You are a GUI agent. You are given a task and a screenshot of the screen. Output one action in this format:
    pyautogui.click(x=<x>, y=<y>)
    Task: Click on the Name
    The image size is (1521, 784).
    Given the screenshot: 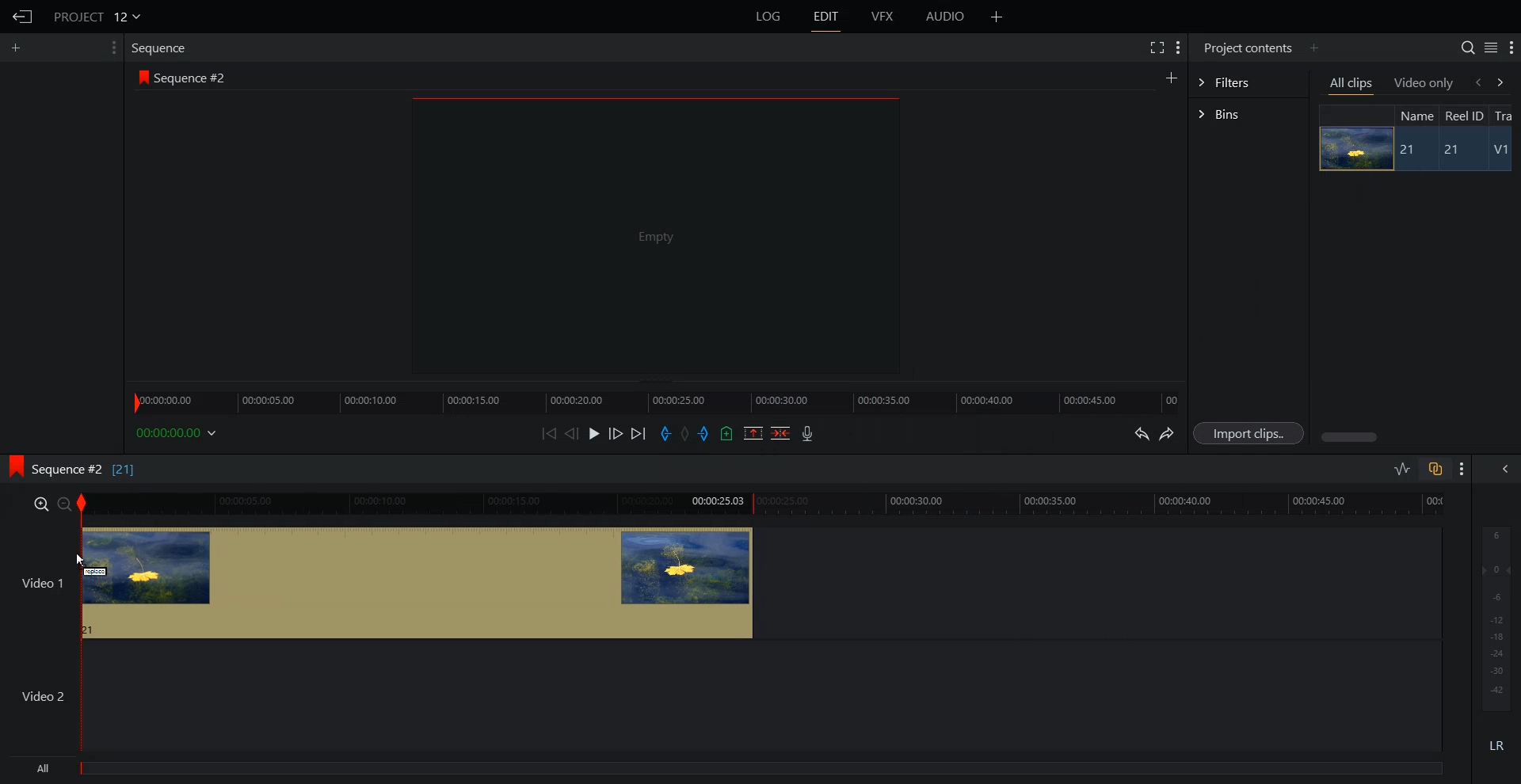 What is the action you would take?
    pyautogui.click(x=1415, y=115)
    